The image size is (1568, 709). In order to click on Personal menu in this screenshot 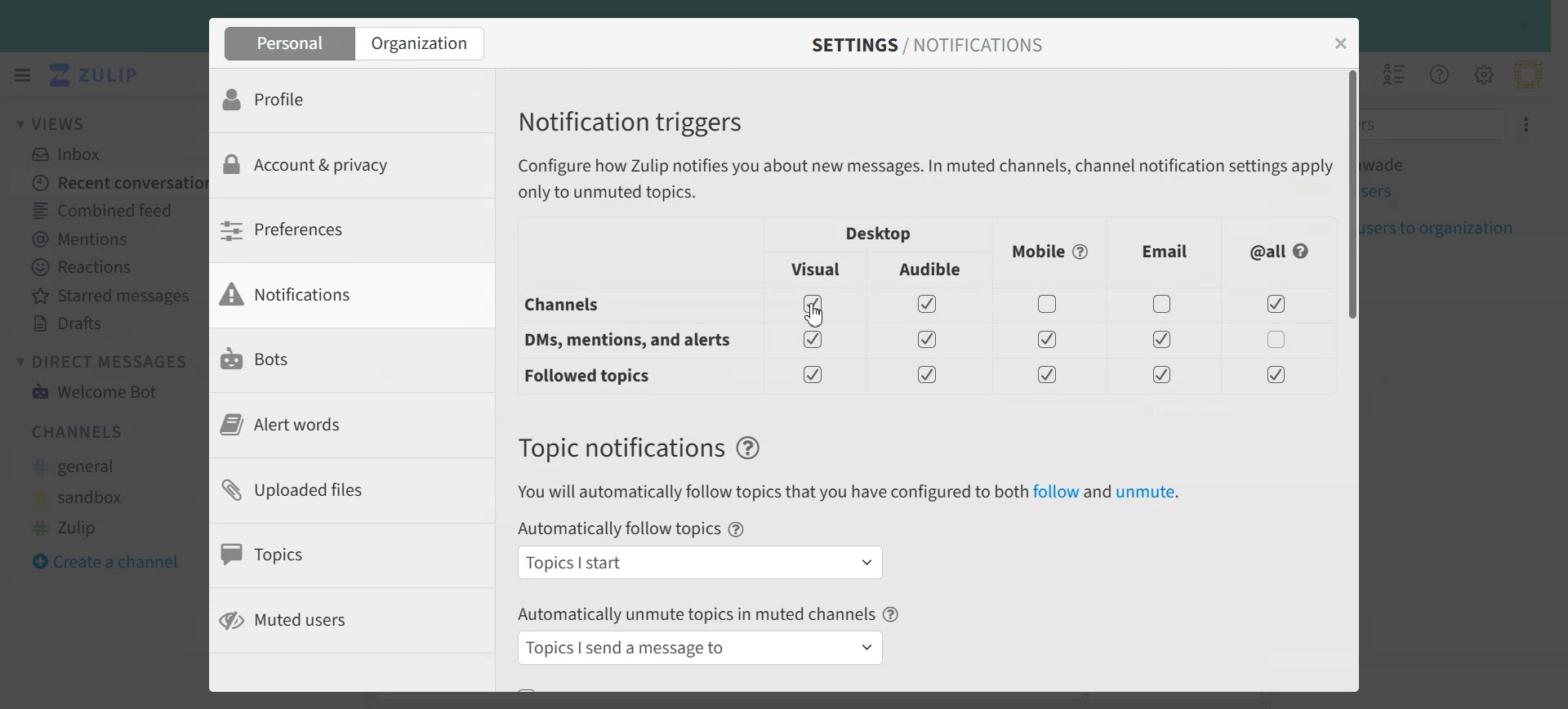, I will do `click(1528, 74)`.